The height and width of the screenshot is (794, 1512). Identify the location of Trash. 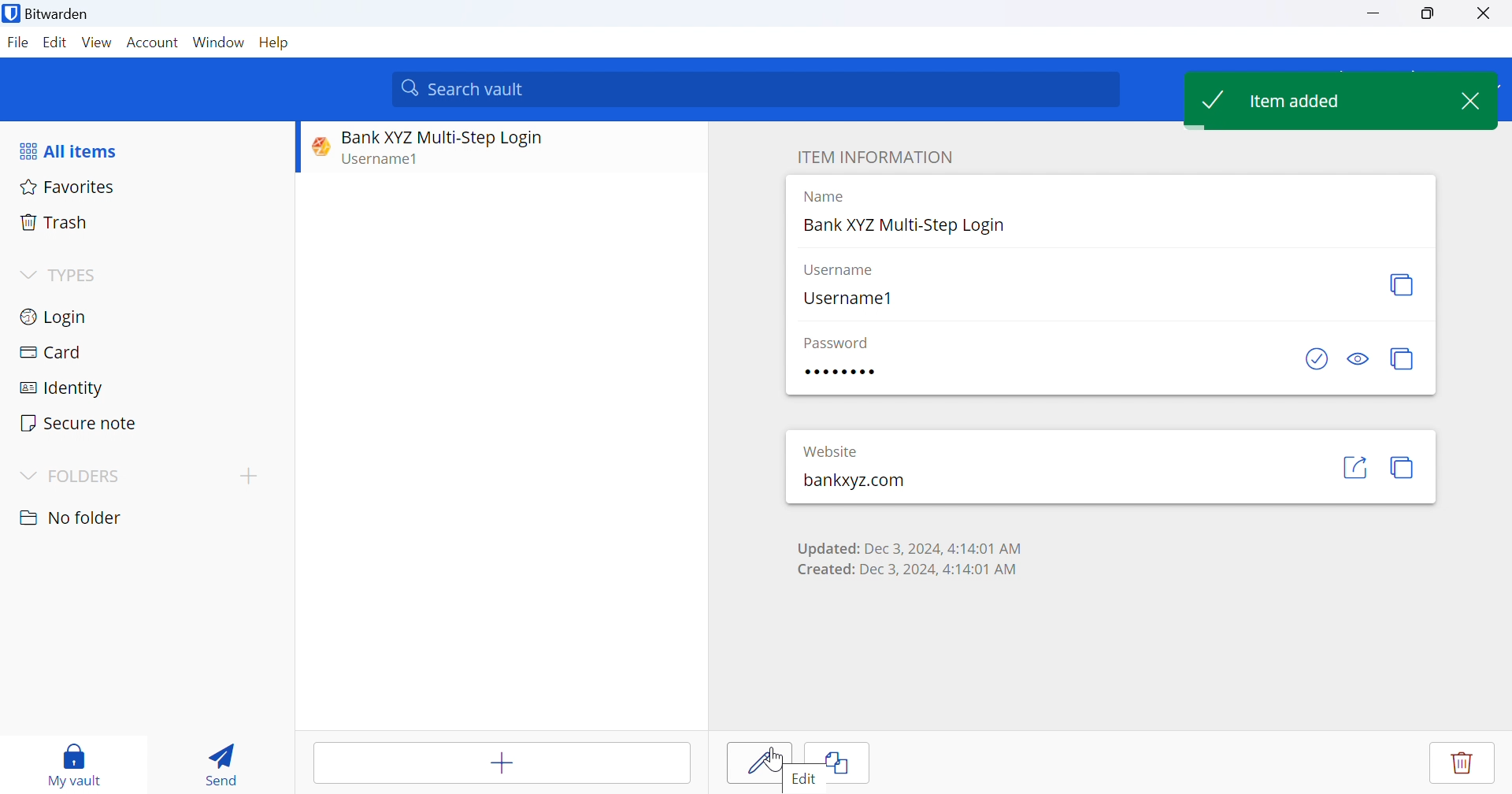
(54, 221).